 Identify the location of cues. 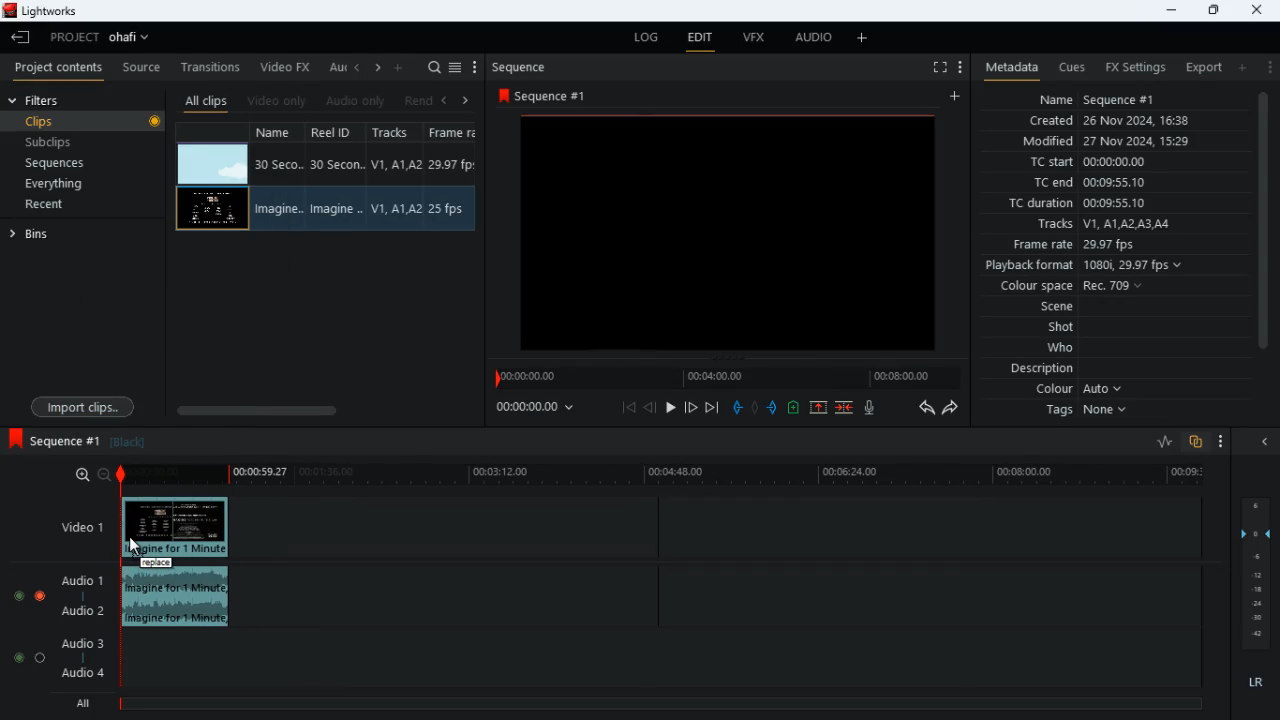
(1072, 67).